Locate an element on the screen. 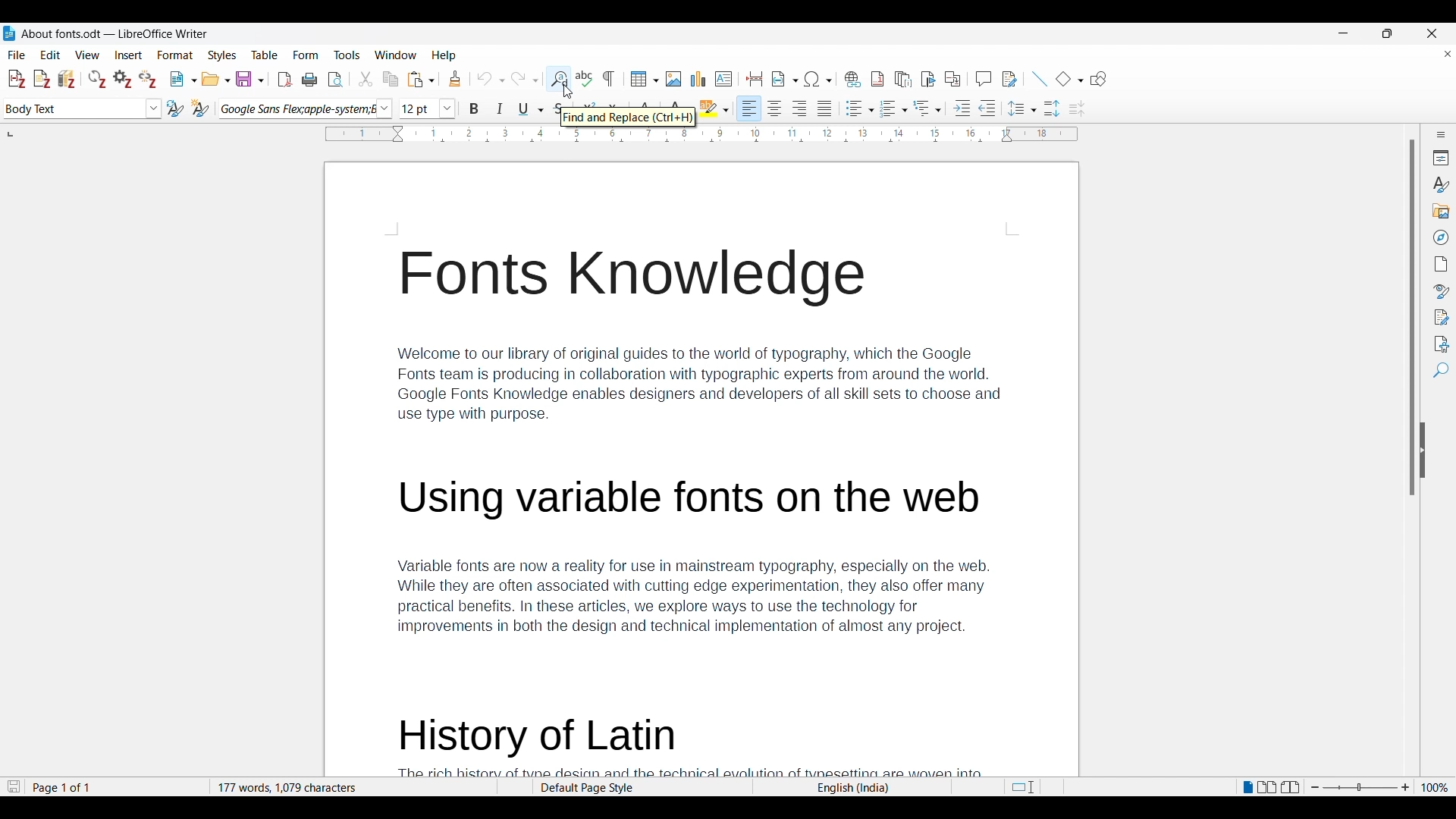  cursor is located at coordinates (567, 89).